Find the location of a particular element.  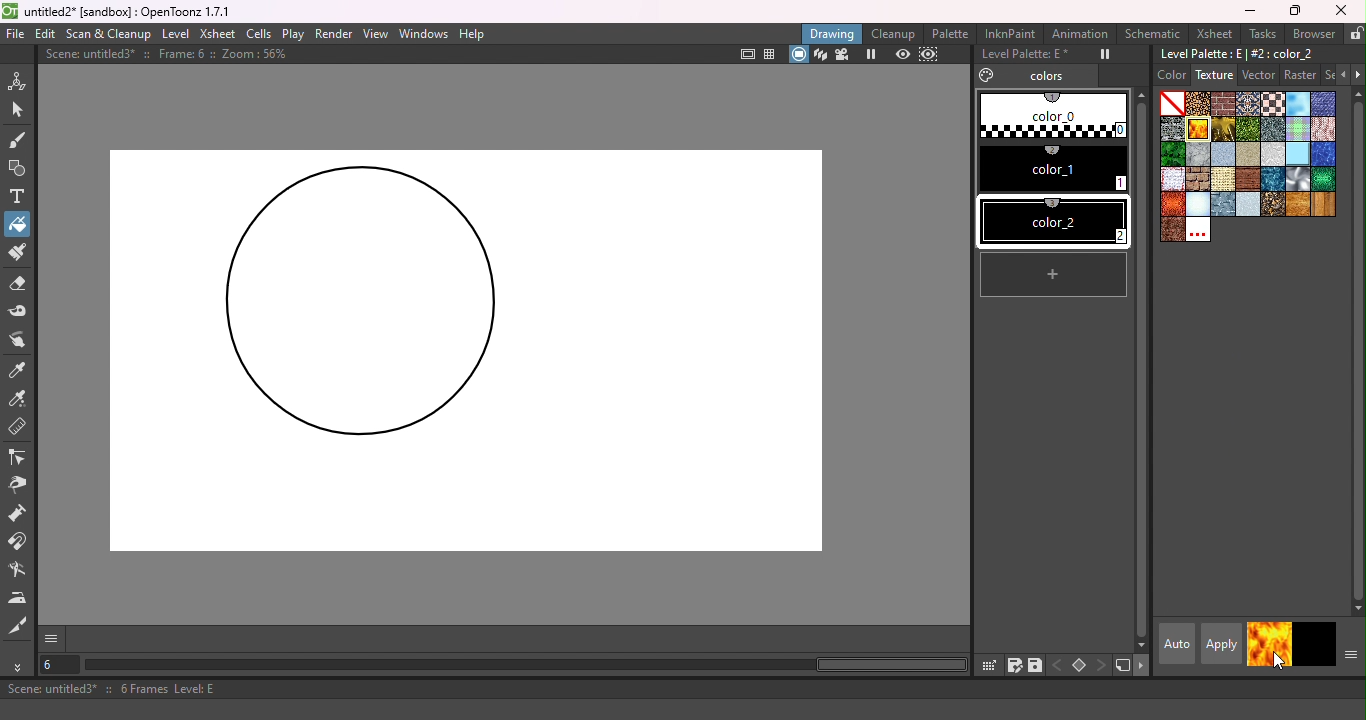

Scan & Clenaup is located at coordinates (110, 34).